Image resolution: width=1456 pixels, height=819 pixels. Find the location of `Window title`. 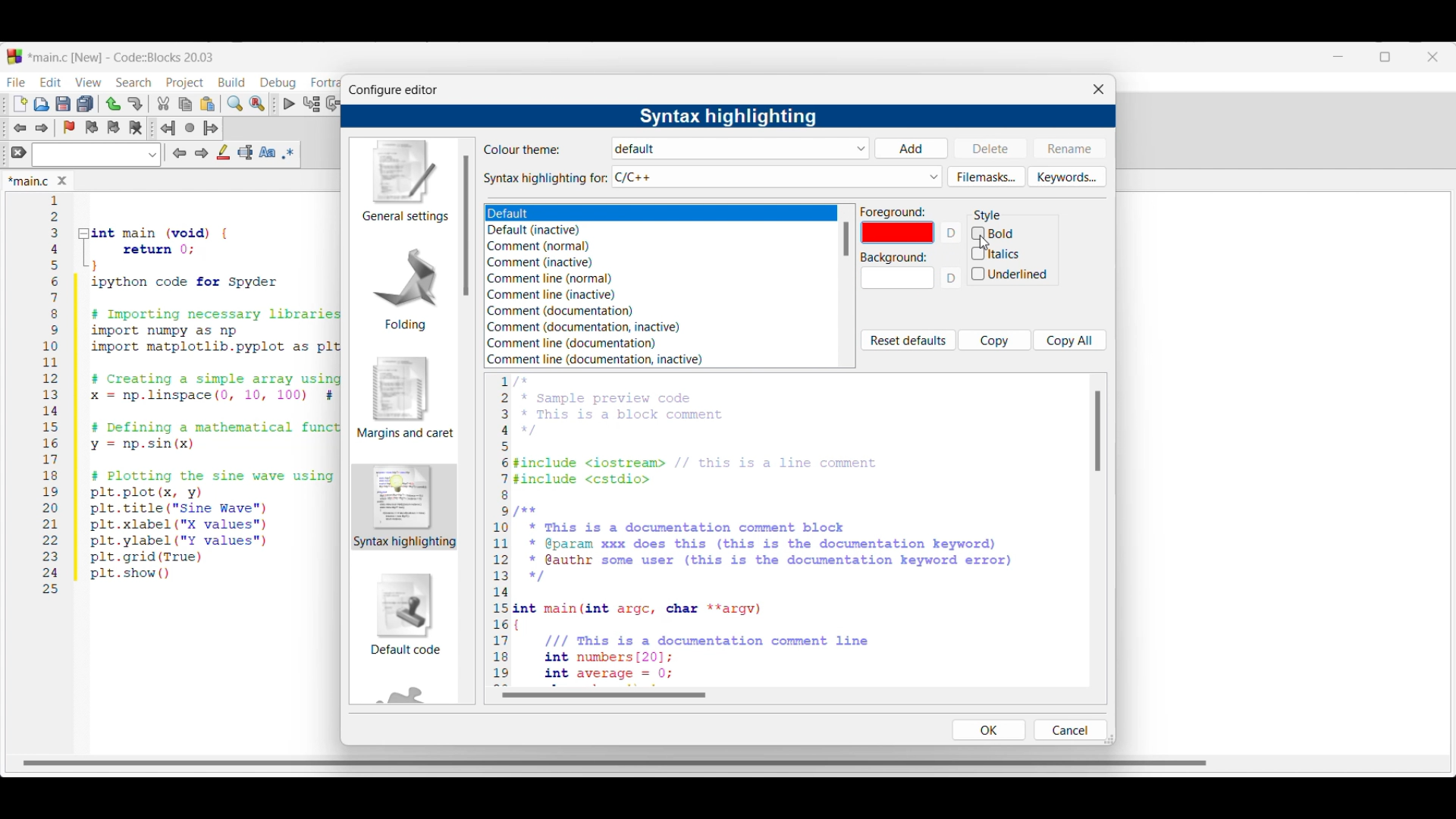

Window title is located at coordinates (393, 90).